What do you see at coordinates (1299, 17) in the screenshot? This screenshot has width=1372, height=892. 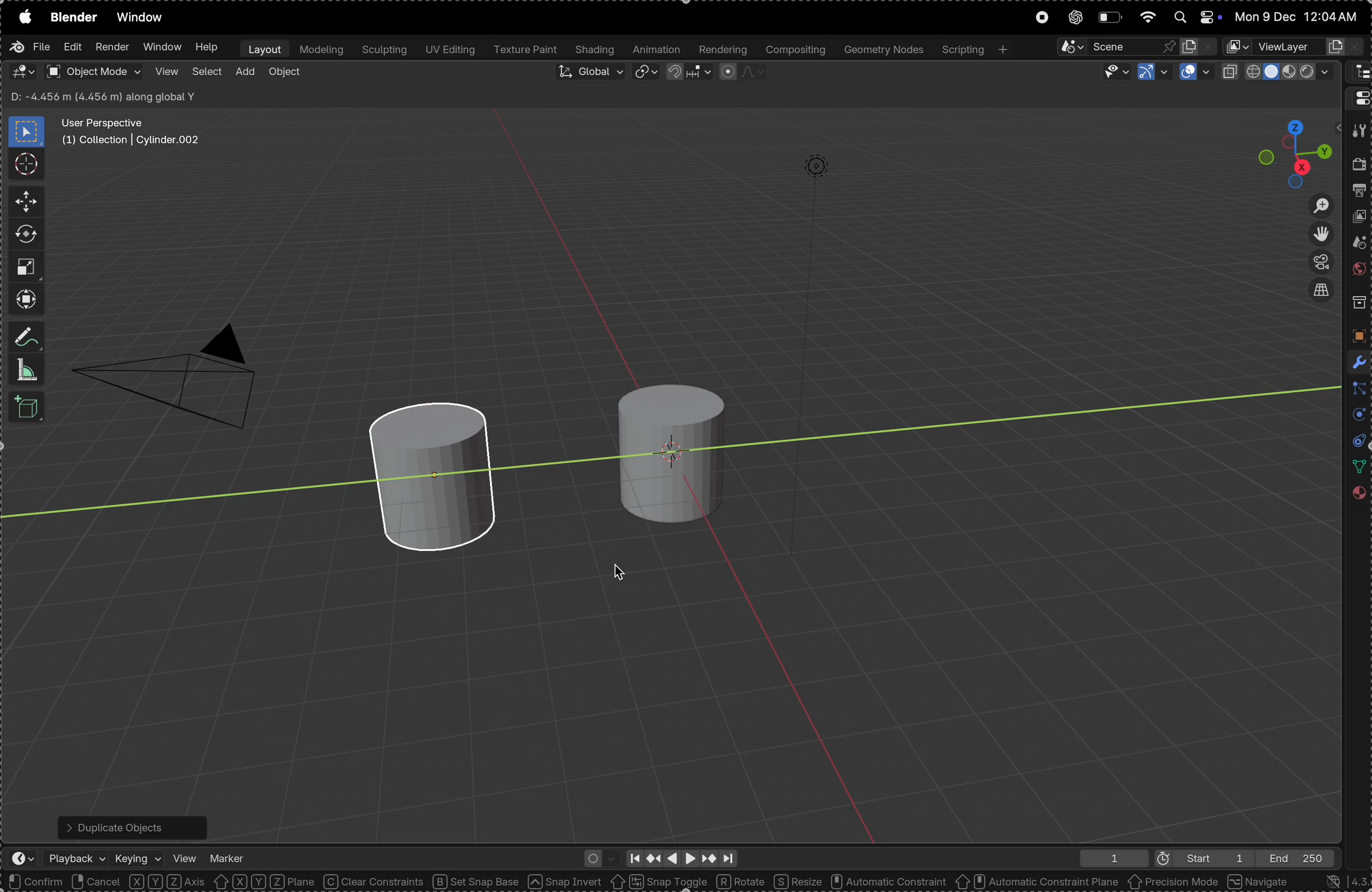 I see `date and time` at bounding box center [1299, 17].